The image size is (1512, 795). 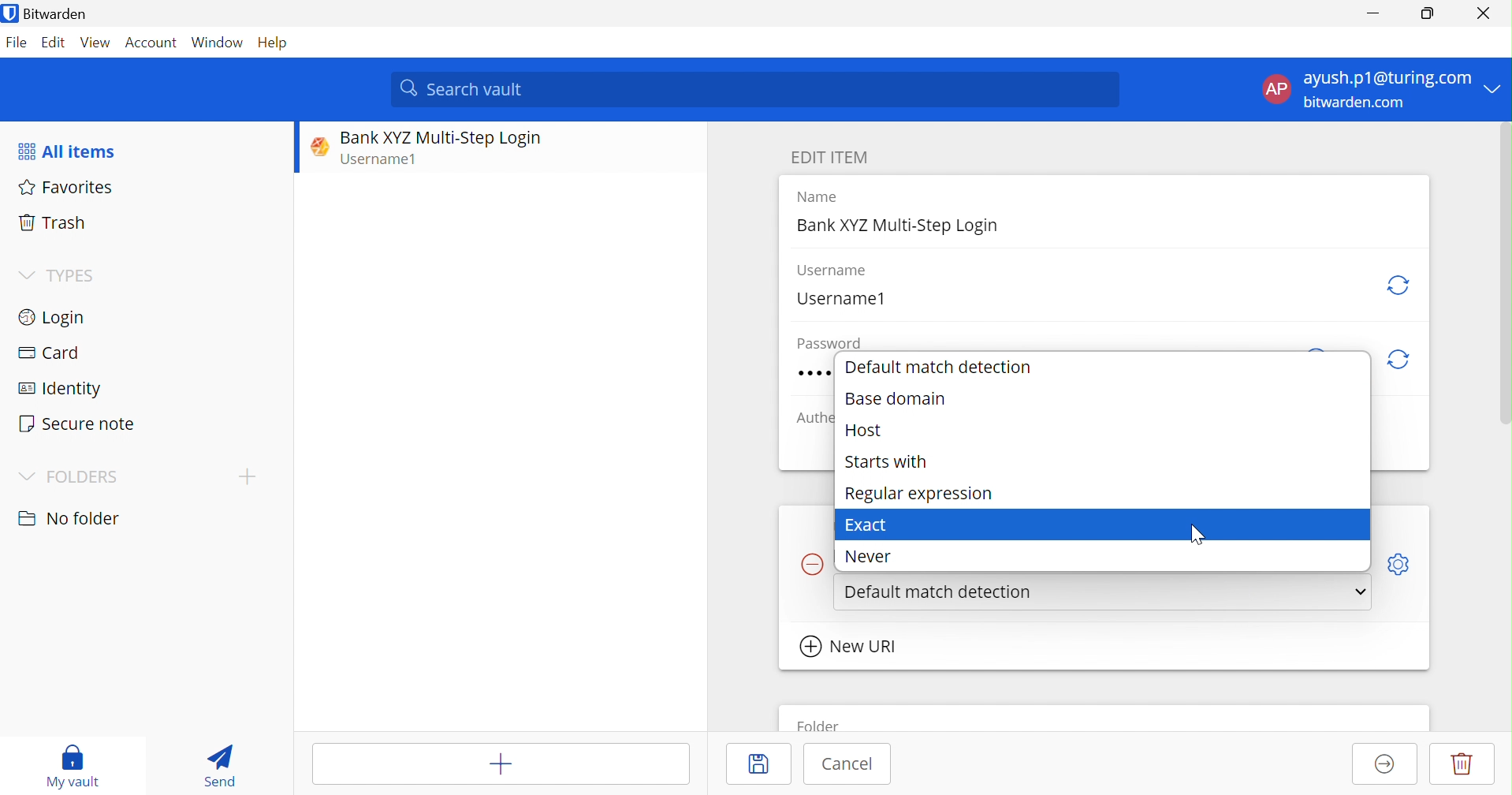 I want to click on Settings, so click(x=1404, y=562).